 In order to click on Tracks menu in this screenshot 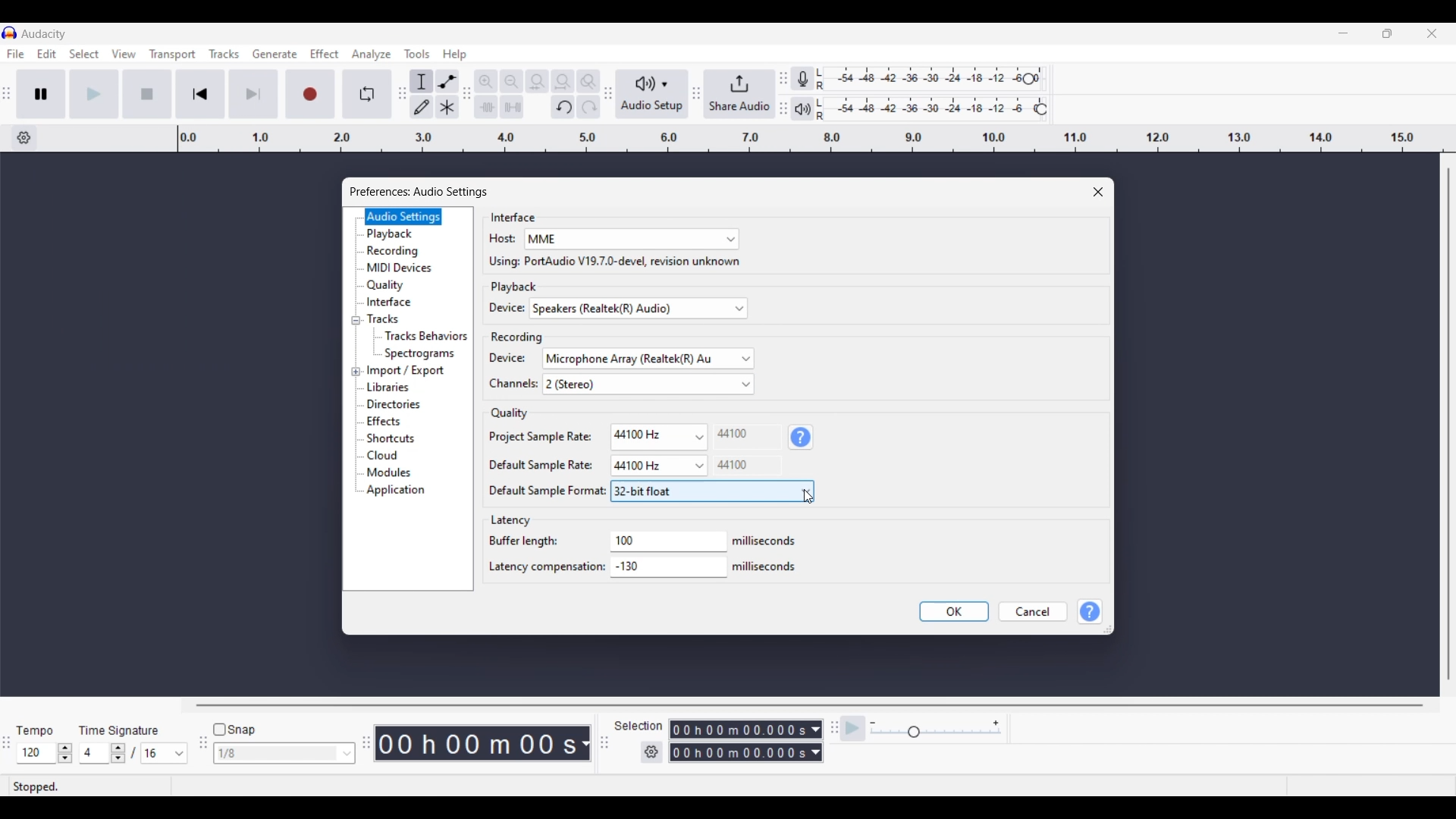, I will do `click(224, 54)`.